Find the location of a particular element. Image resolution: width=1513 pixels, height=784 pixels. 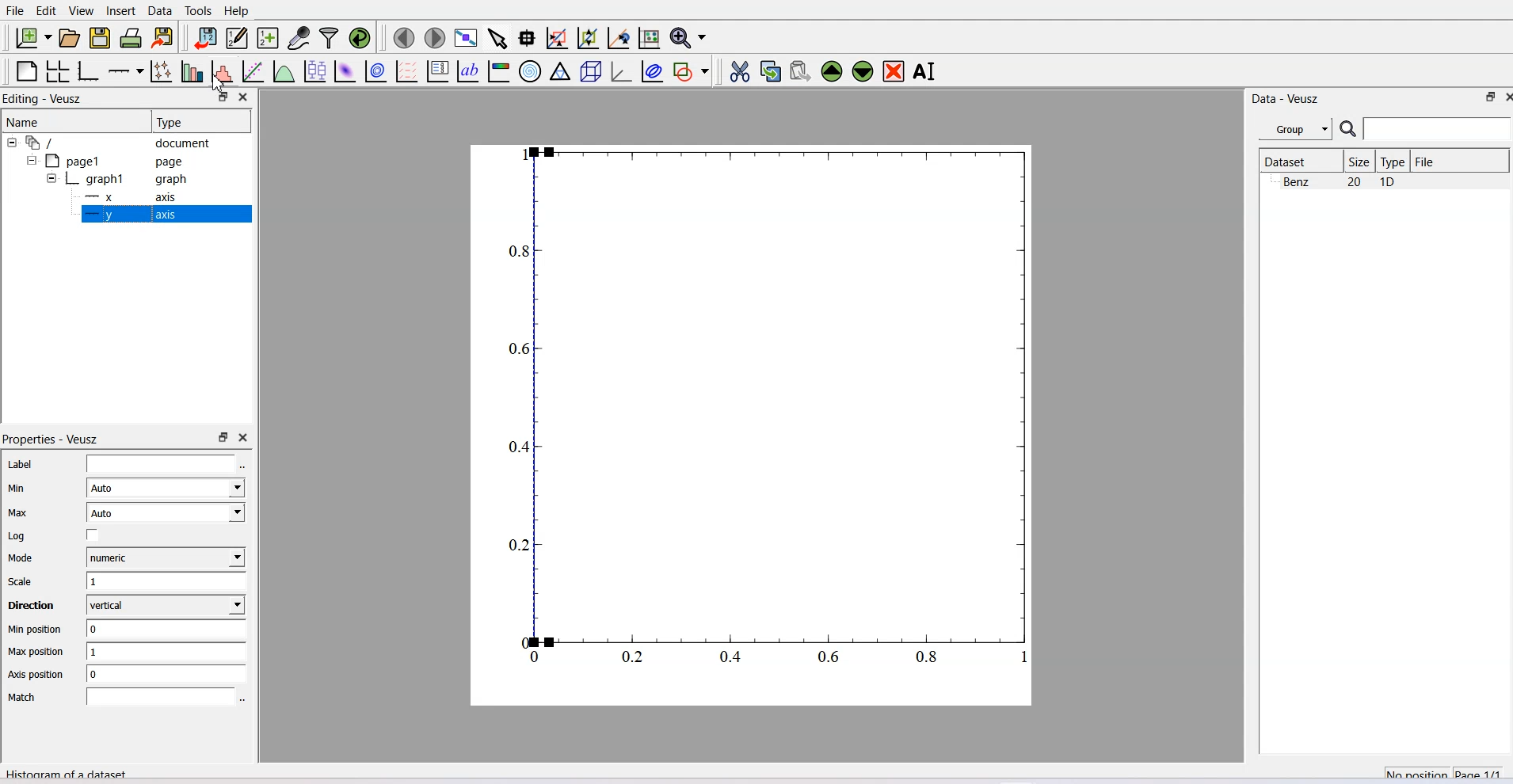

Plot box plots is located at coordinates (315, 70).